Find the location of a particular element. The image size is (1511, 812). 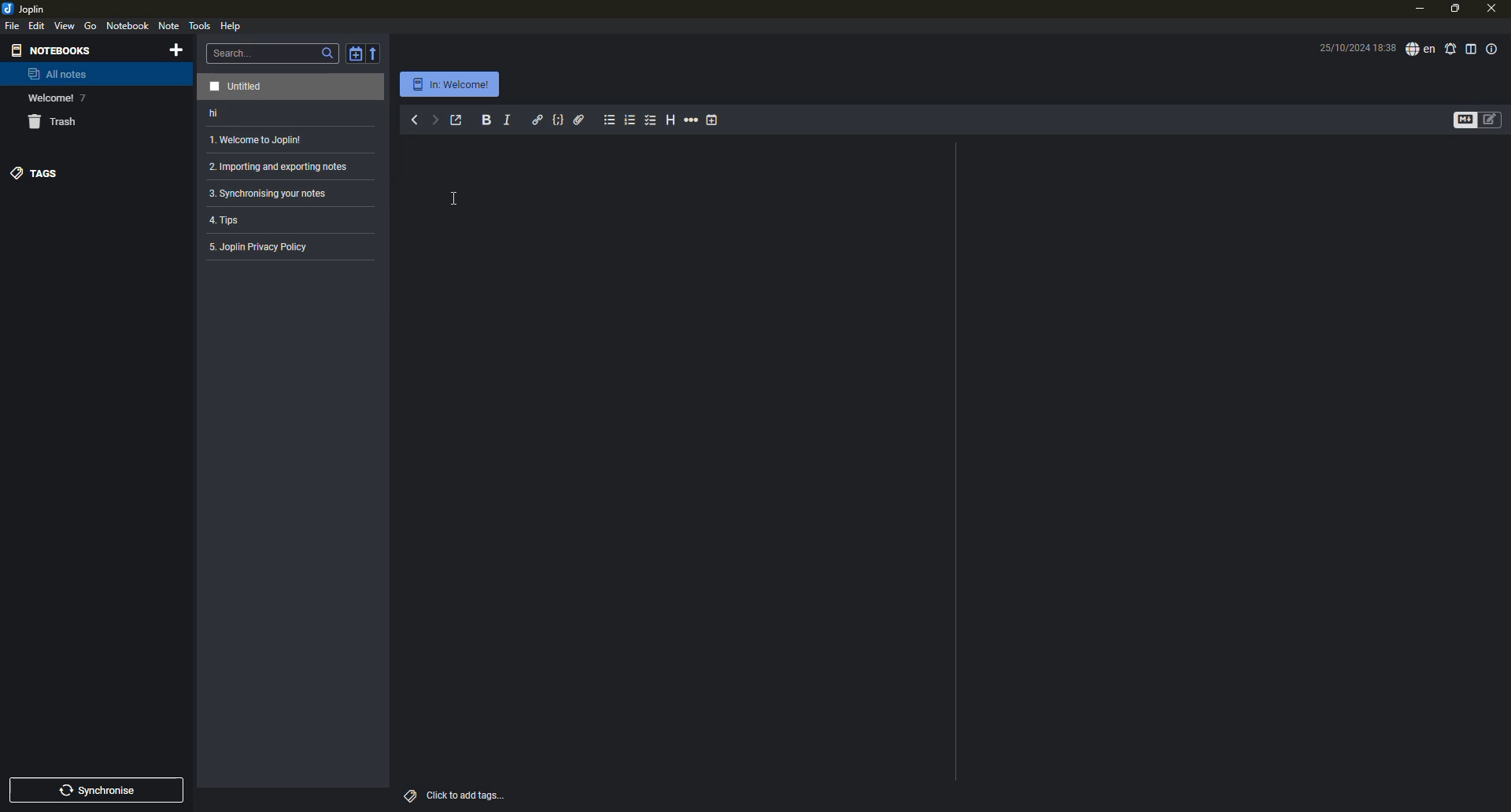

add notebook is located at coordinates (175, 50).